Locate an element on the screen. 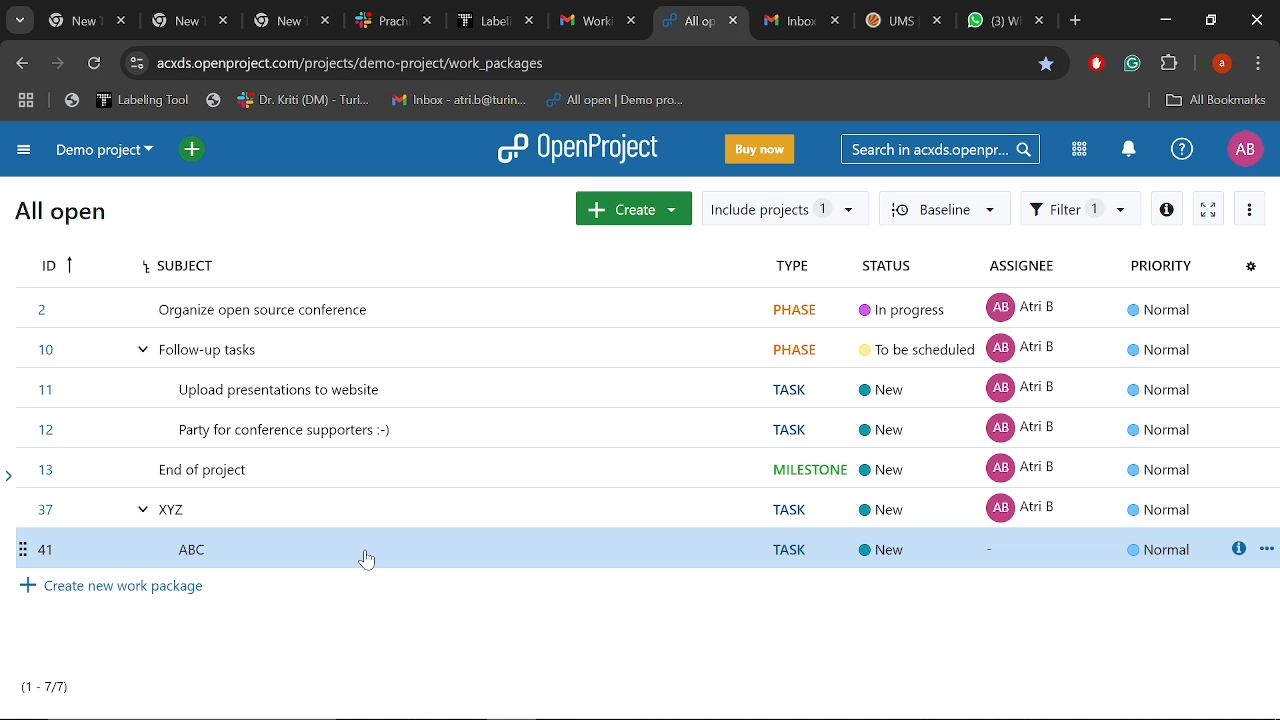  Close is located at coordinates (1256, 21).